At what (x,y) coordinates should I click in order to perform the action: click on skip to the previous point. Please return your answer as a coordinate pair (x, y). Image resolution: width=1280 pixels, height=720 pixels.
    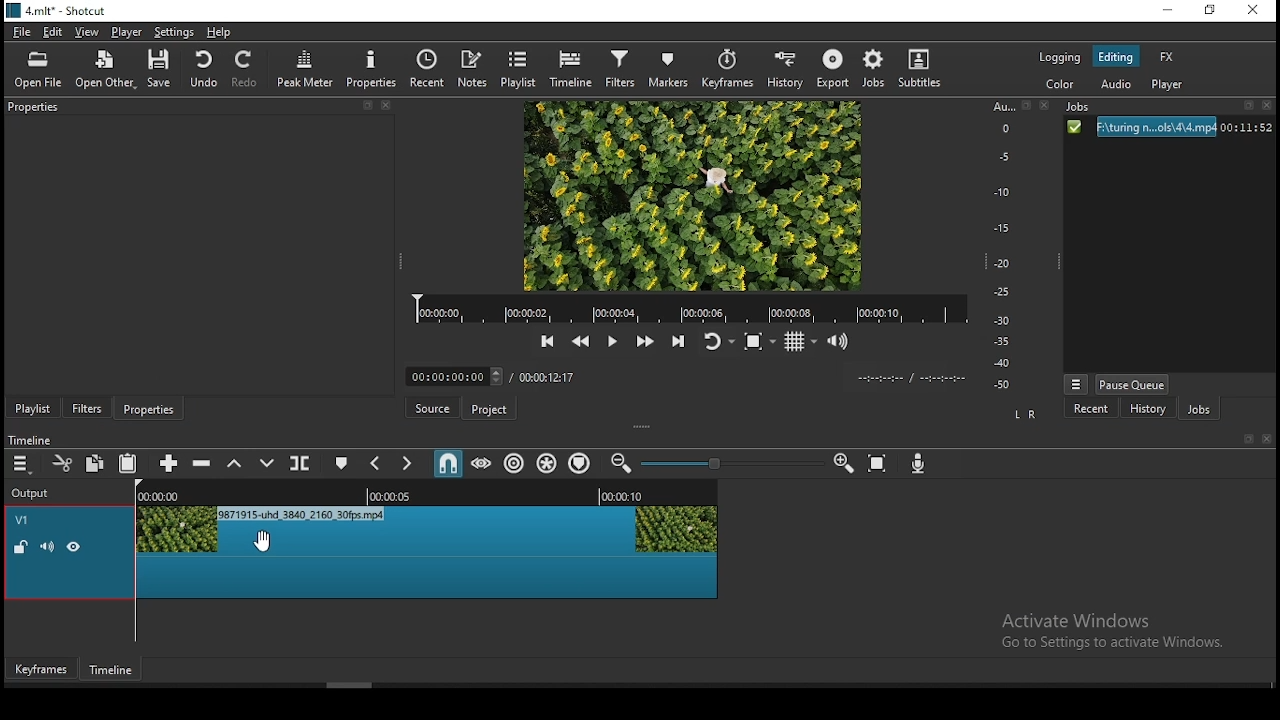
    Looking at the image, I should click on (547, 342).